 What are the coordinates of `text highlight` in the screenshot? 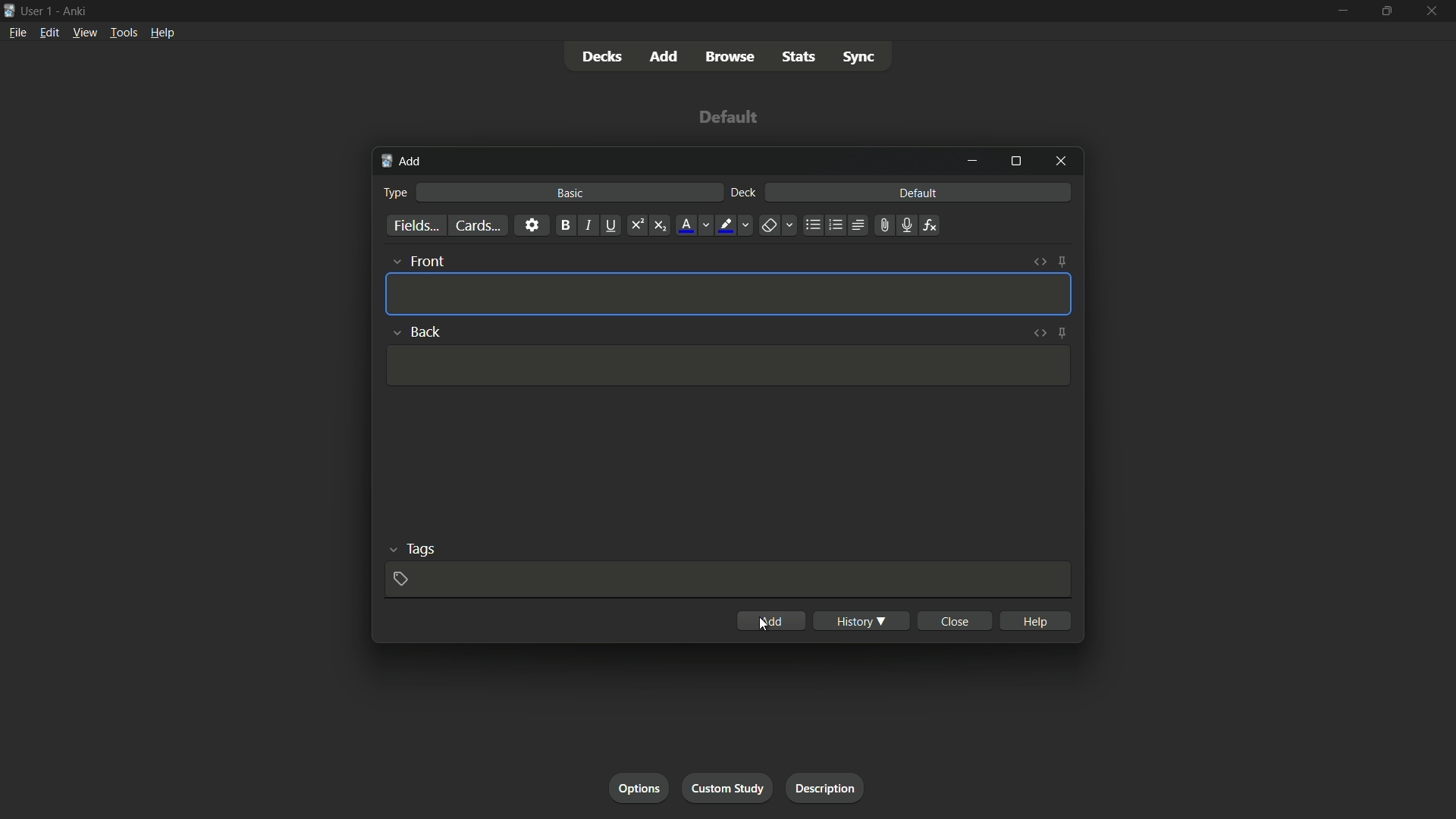 It's located at (733, 225).